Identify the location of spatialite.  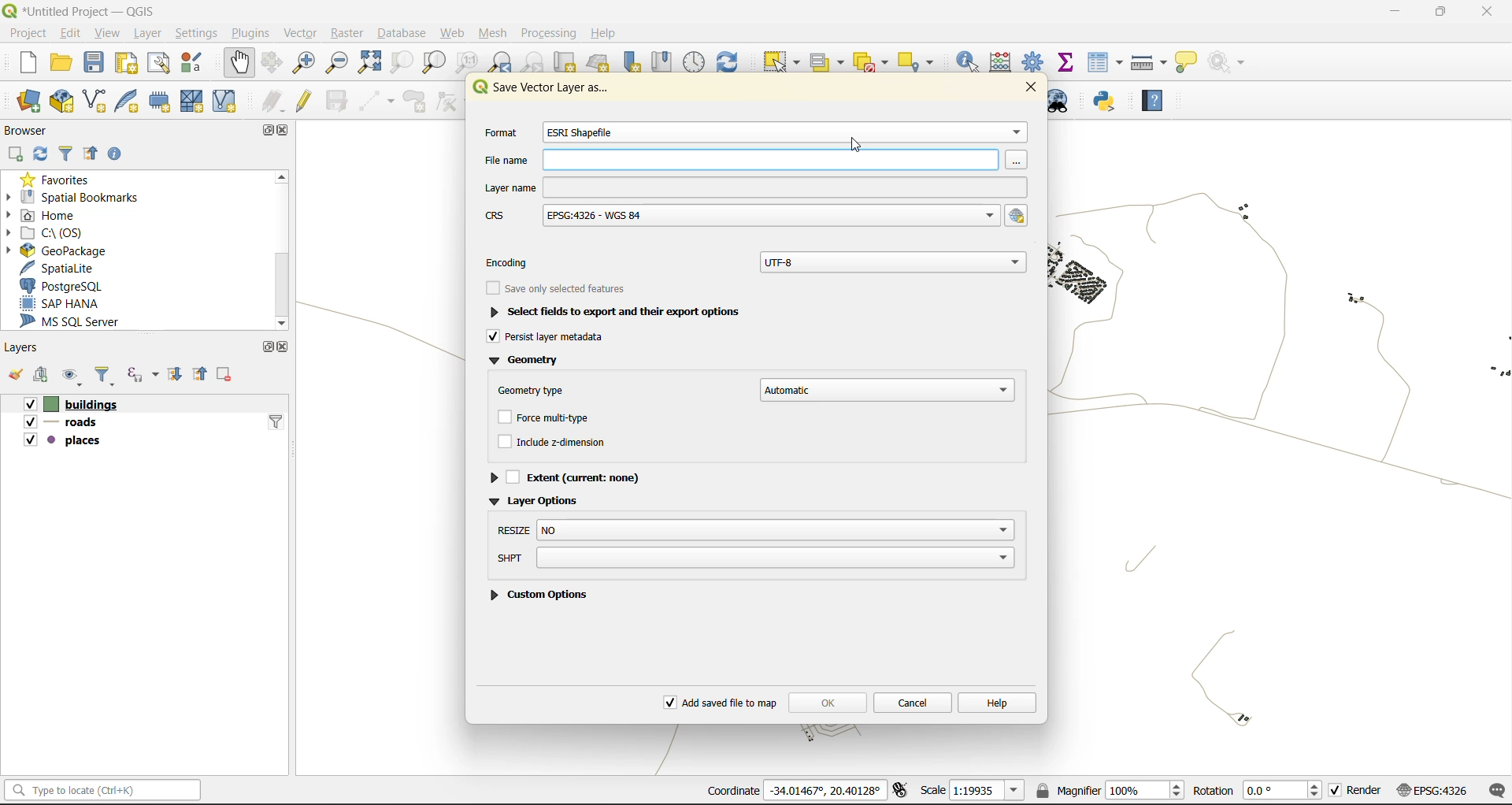
(65, 269).